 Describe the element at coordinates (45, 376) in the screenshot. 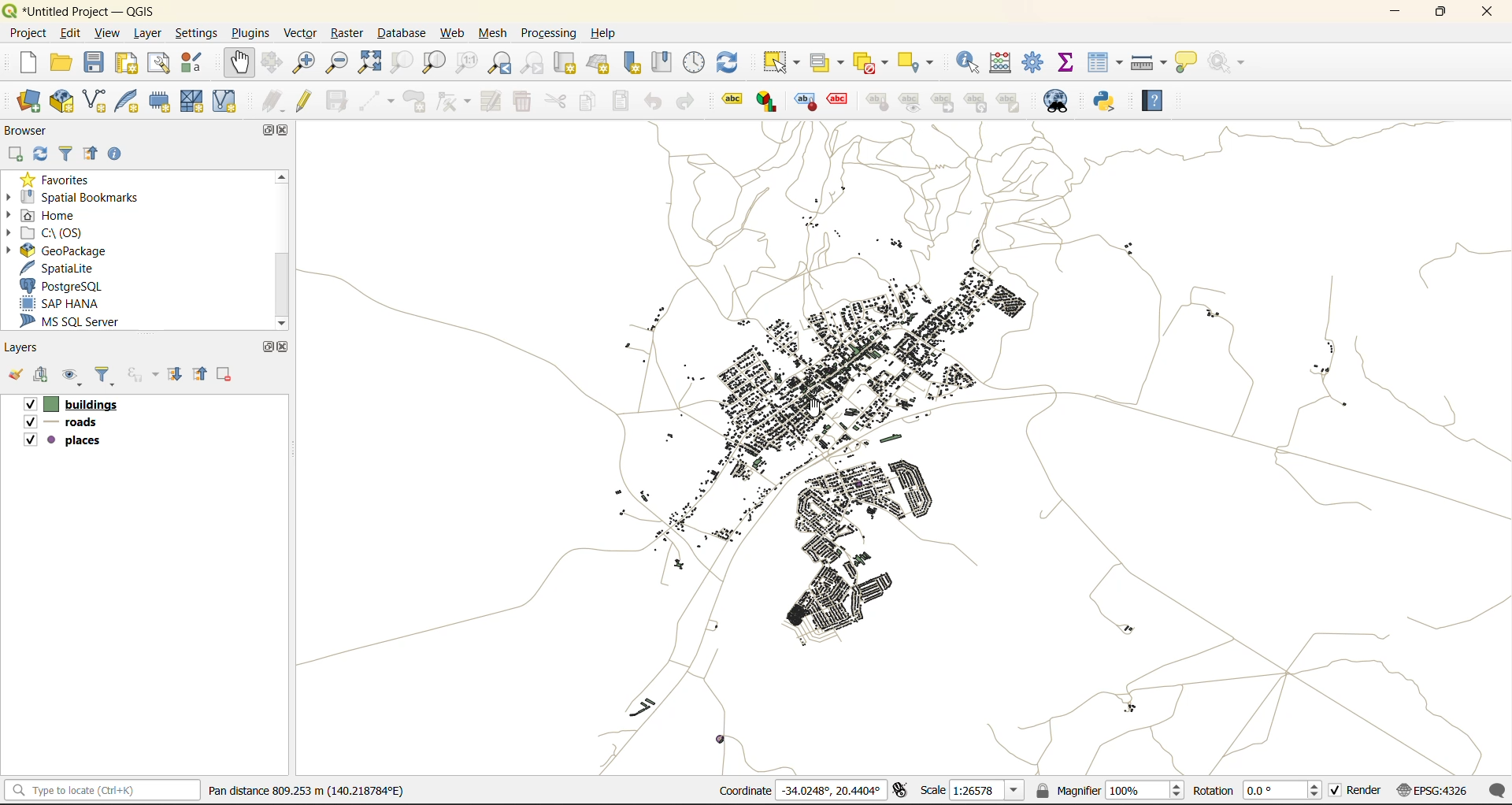

I see `add` at that location.